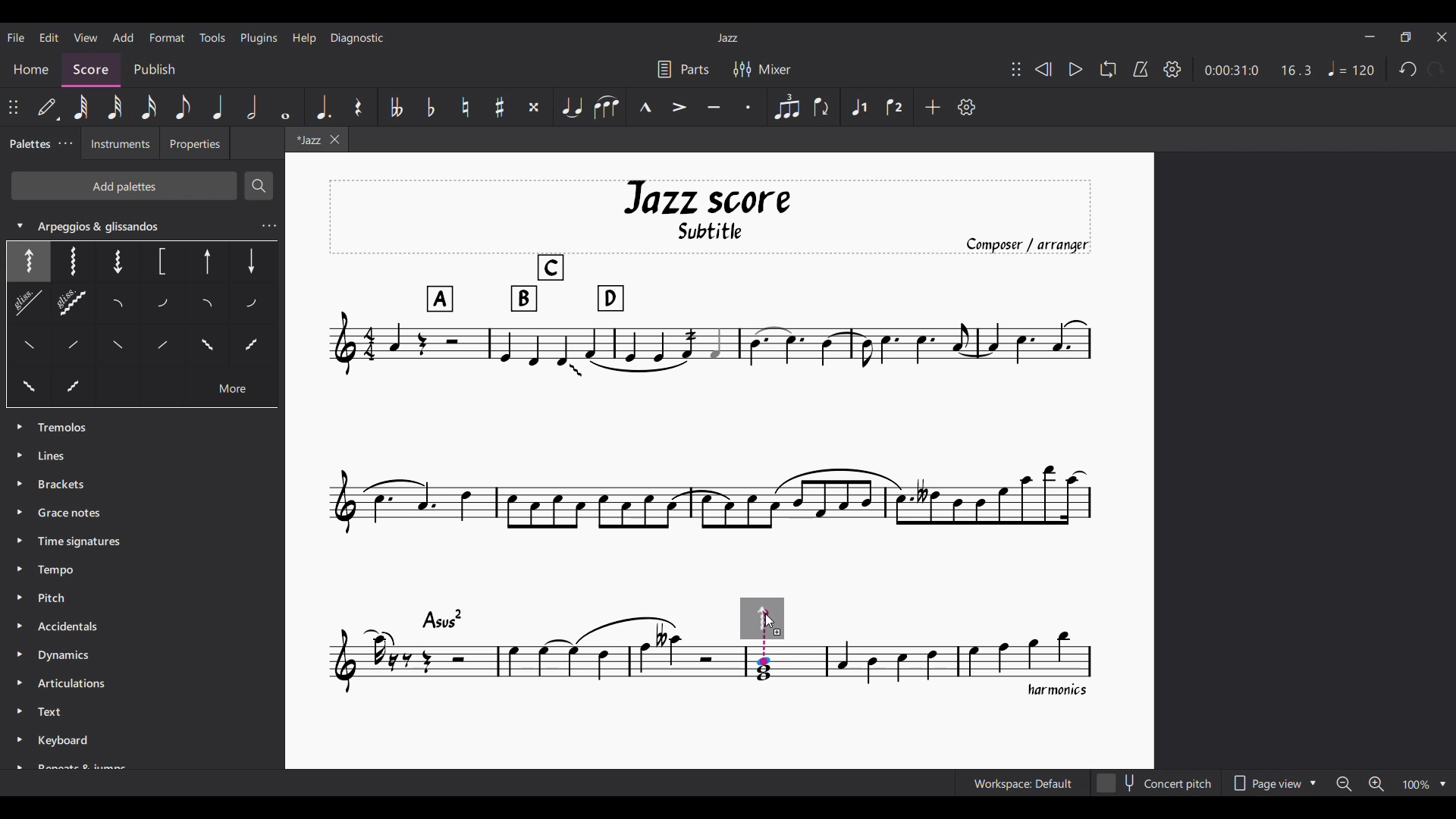 The image size is (1456, 819). What do you see at coordinates (254, 347) in the screenshot?
I see `` at bounding box center [254, 347].